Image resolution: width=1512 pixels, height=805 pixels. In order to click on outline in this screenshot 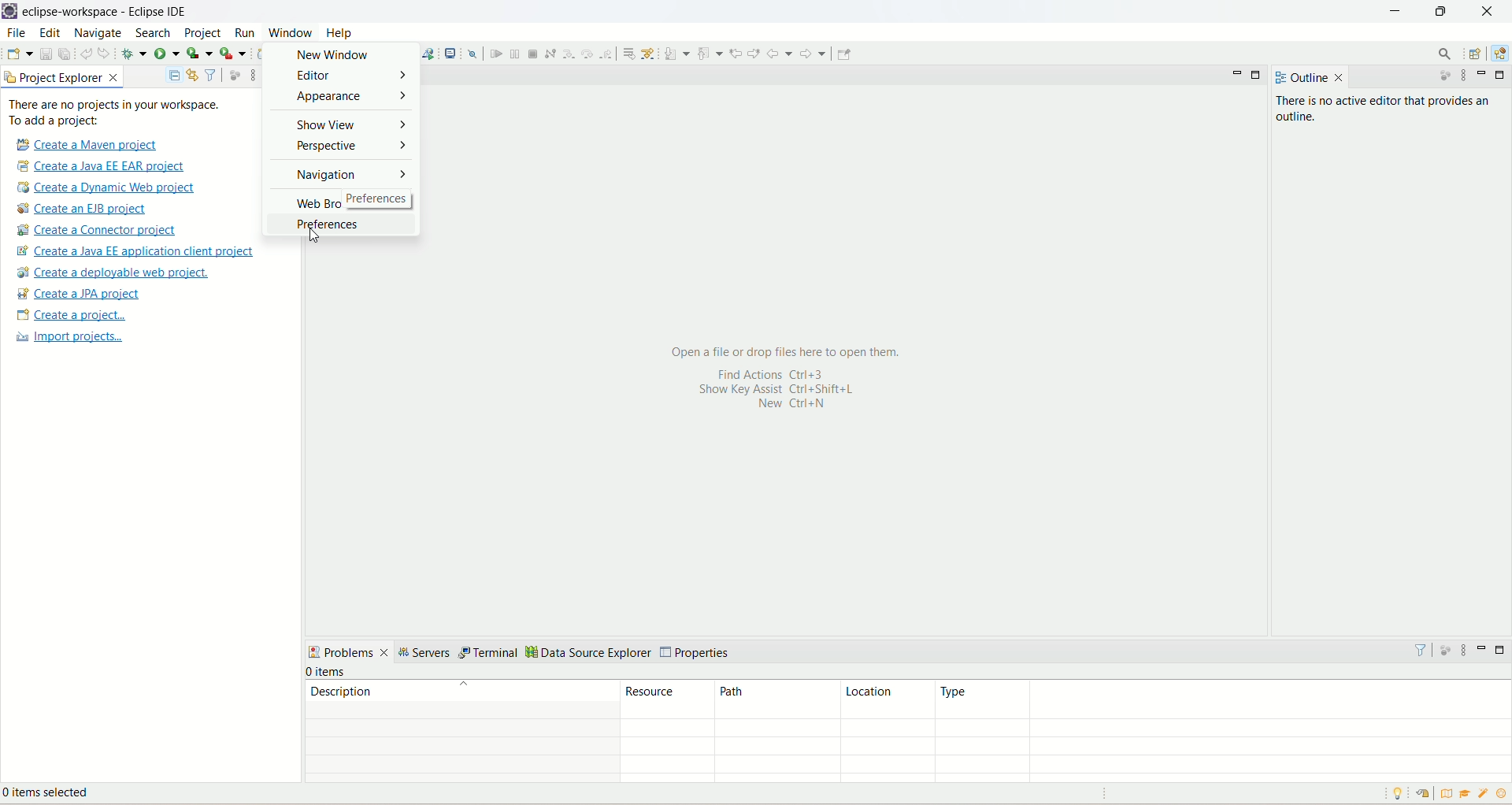, I will do `click(1299, 78)`.